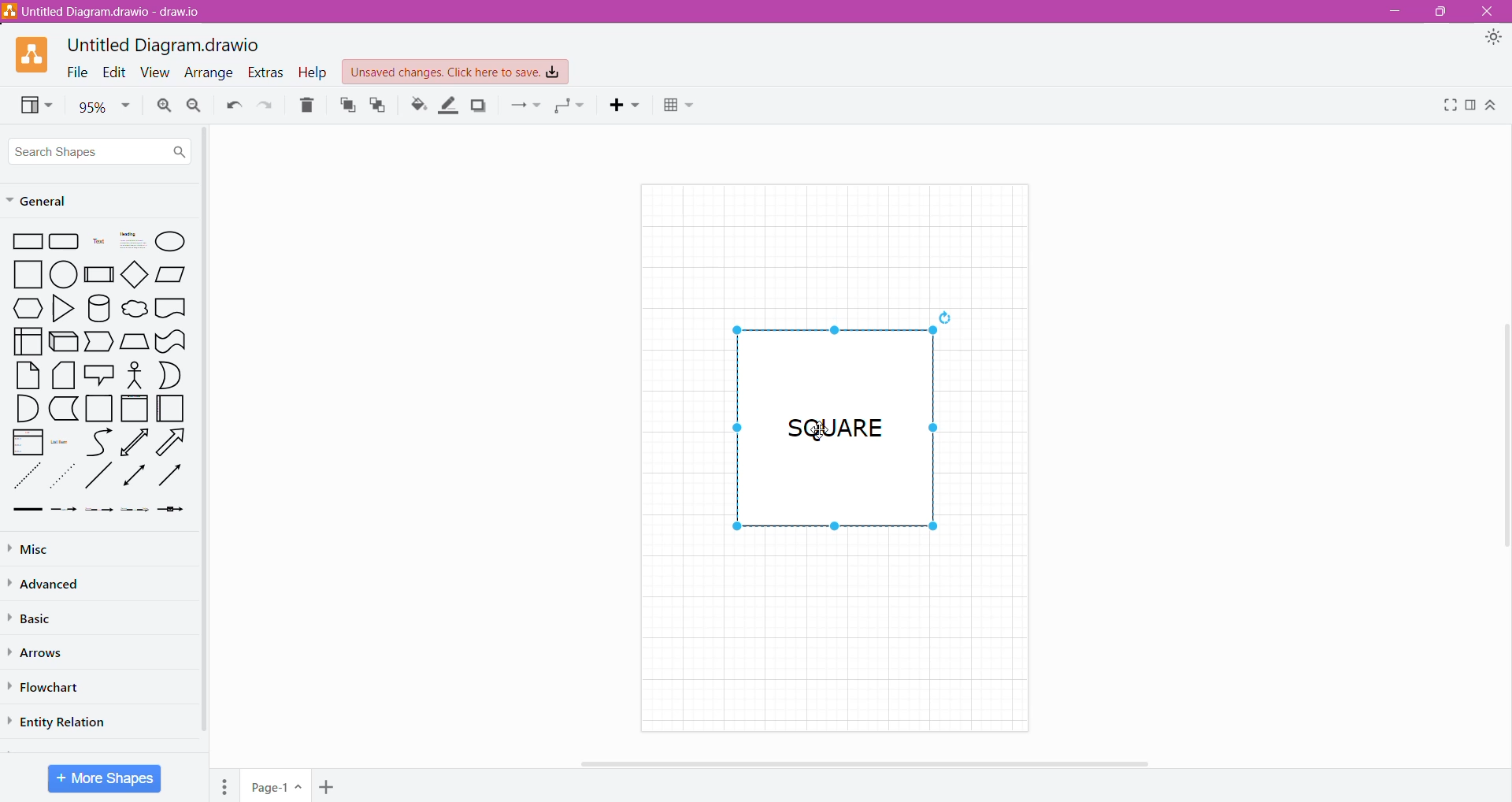 The height and width of the screenshot is (802, 1512). I want to click on Insert, so click(626, 106).